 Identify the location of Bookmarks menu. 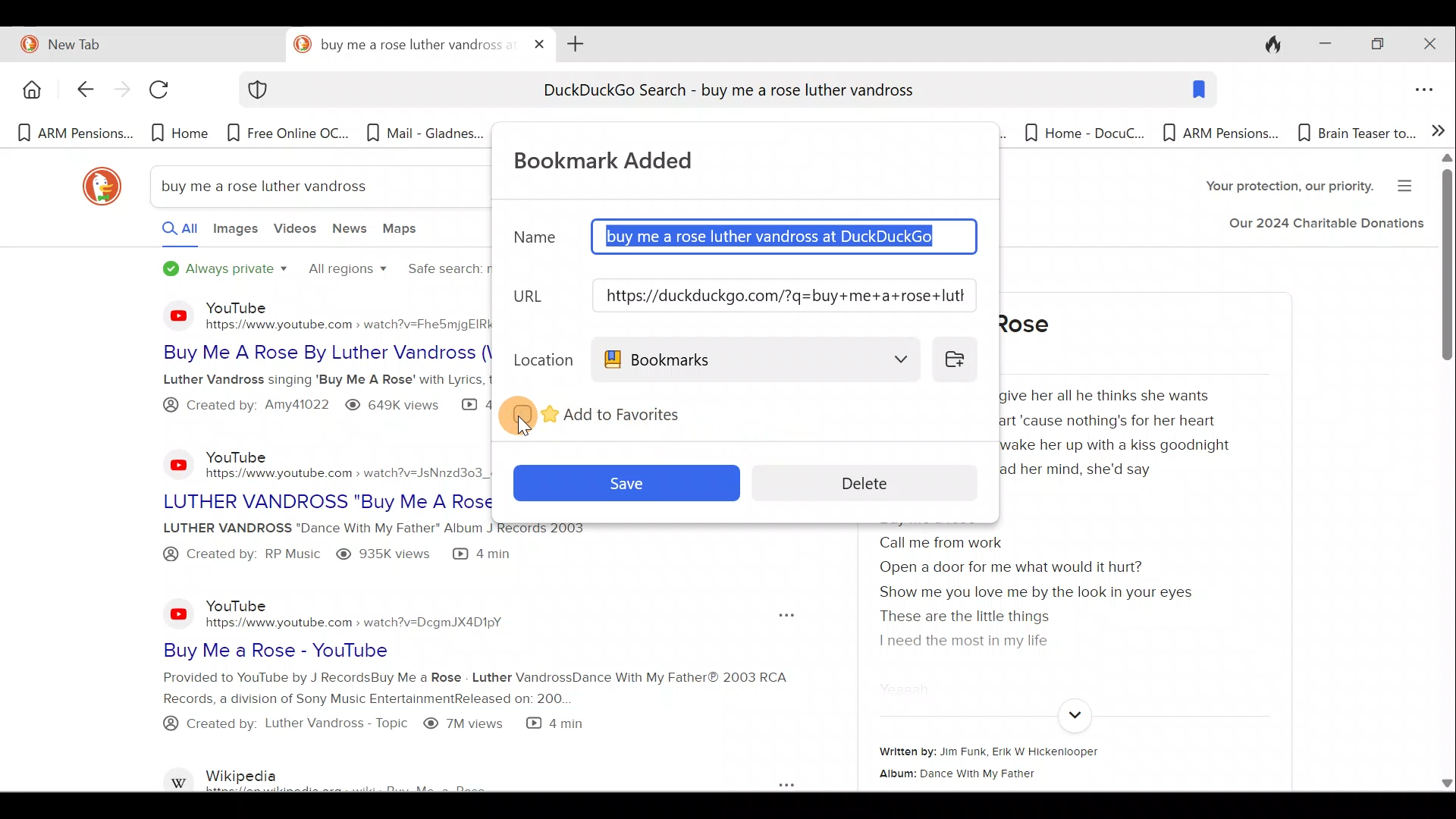
(757, 359).